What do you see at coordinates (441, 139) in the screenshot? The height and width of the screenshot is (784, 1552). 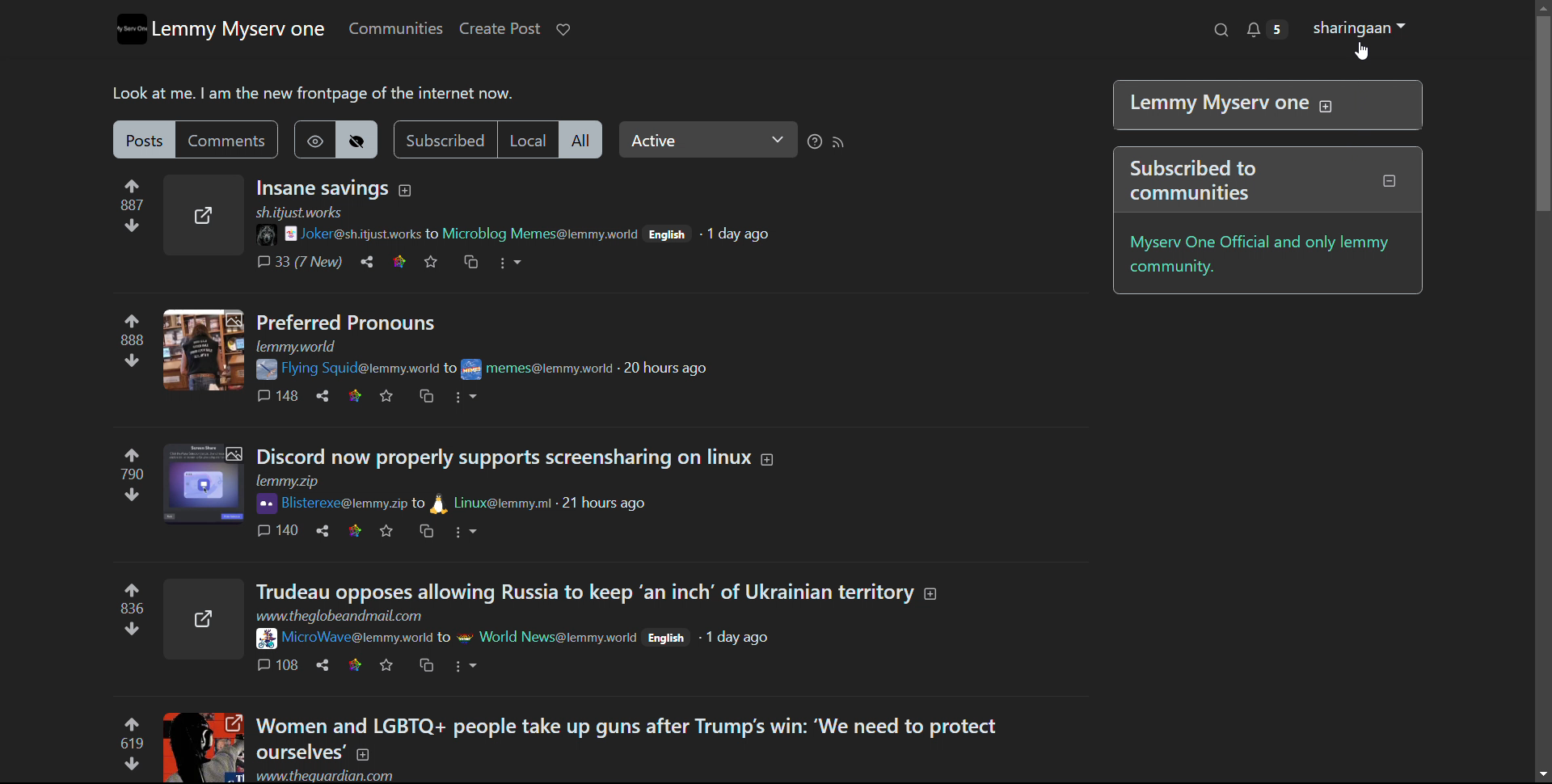 I see `subscribed` at bounding box center [441, 139].